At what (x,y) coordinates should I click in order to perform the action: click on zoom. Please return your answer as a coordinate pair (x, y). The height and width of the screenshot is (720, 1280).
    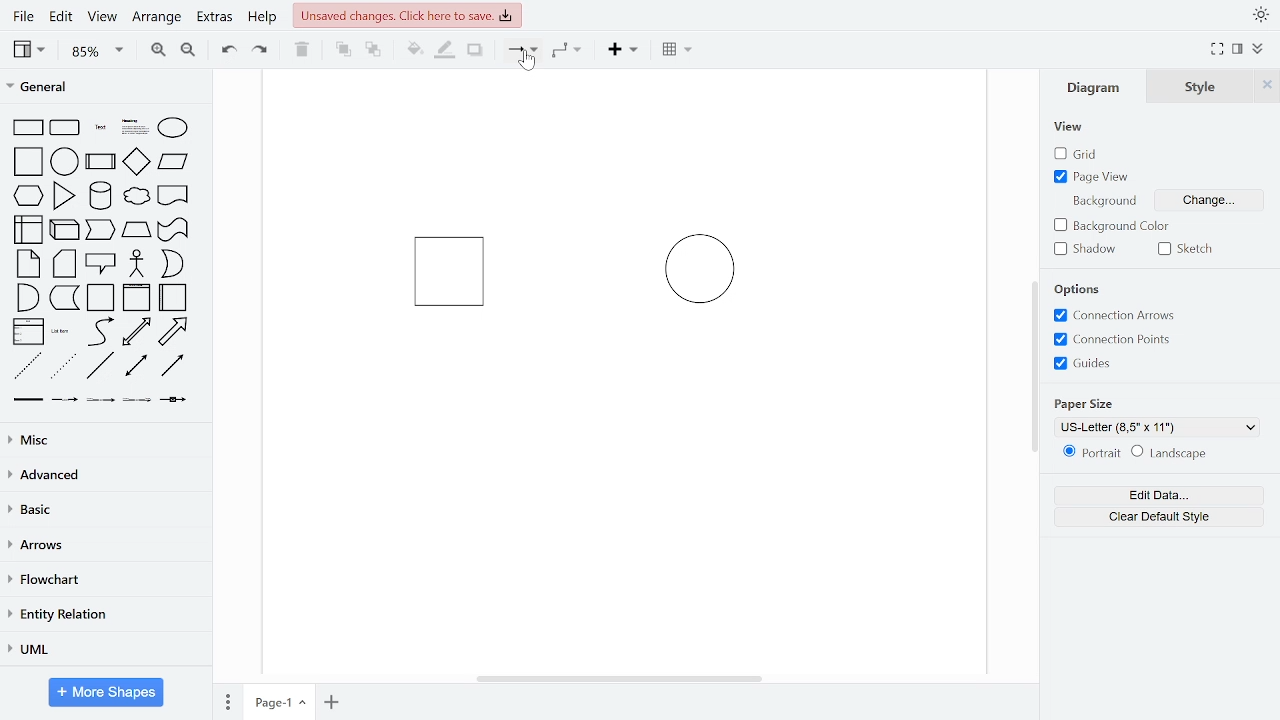
    Looking at the image, I should click on (98, 50).